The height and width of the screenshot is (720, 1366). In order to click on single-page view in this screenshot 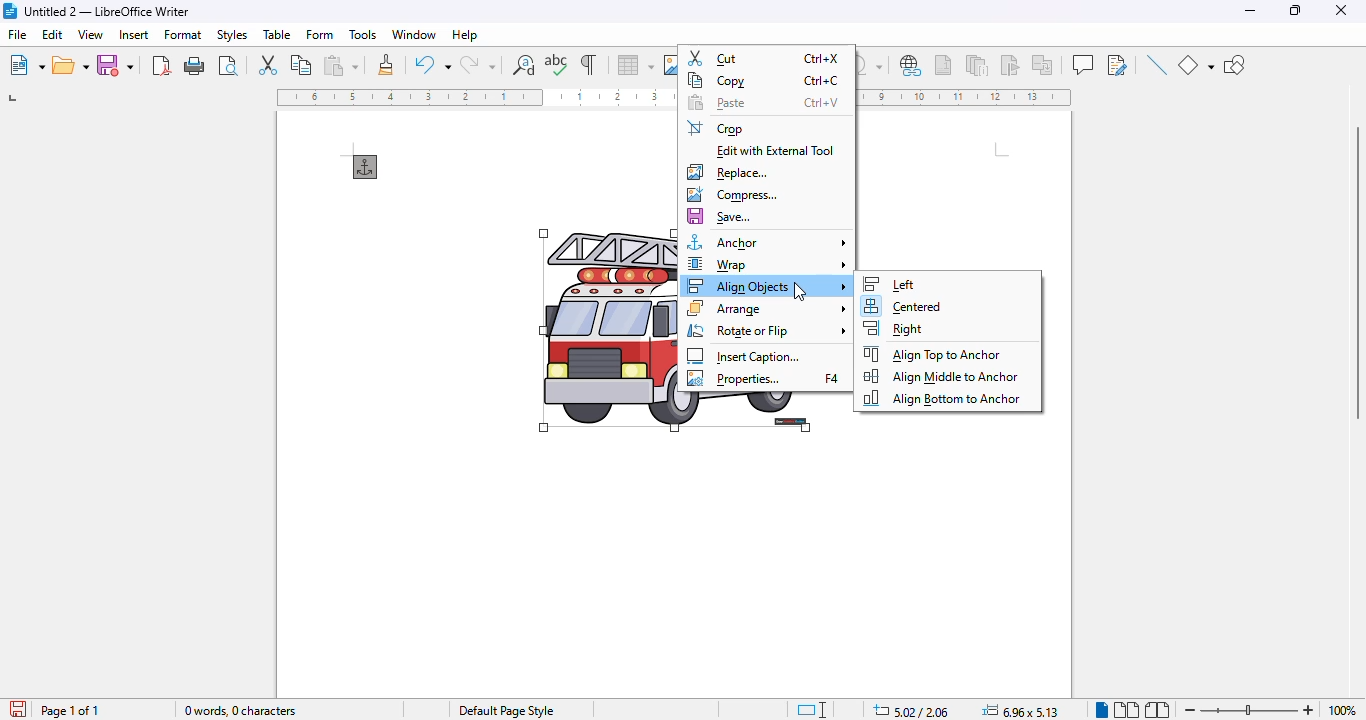, I will do `click(1101, 710)`.